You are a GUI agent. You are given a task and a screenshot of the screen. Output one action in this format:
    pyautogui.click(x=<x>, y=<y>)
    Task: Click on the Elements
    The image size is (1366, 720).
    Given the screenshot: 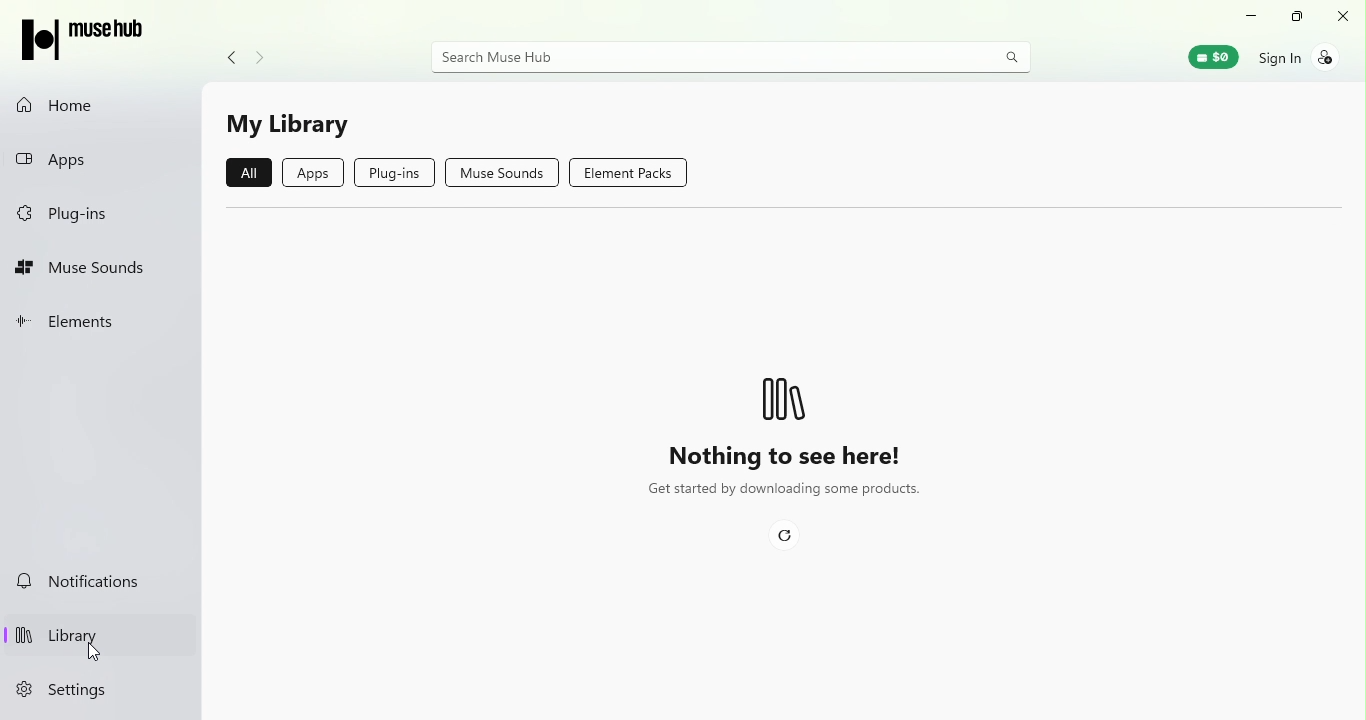 What is the action you would take?
    pyautogui.click(x=86, y=328)
    